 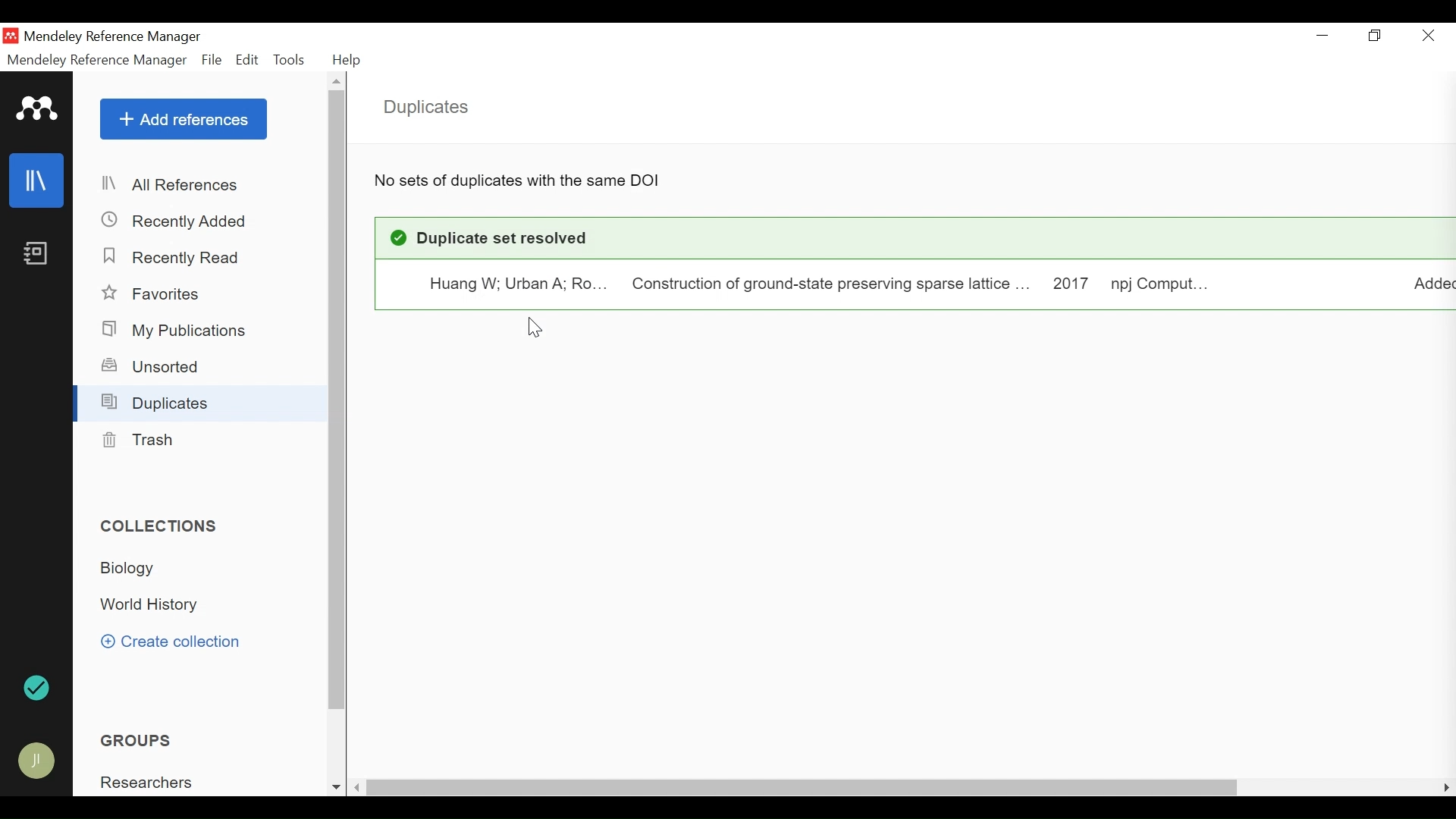 I want to click on Notebook, so click(x=36, y=253).